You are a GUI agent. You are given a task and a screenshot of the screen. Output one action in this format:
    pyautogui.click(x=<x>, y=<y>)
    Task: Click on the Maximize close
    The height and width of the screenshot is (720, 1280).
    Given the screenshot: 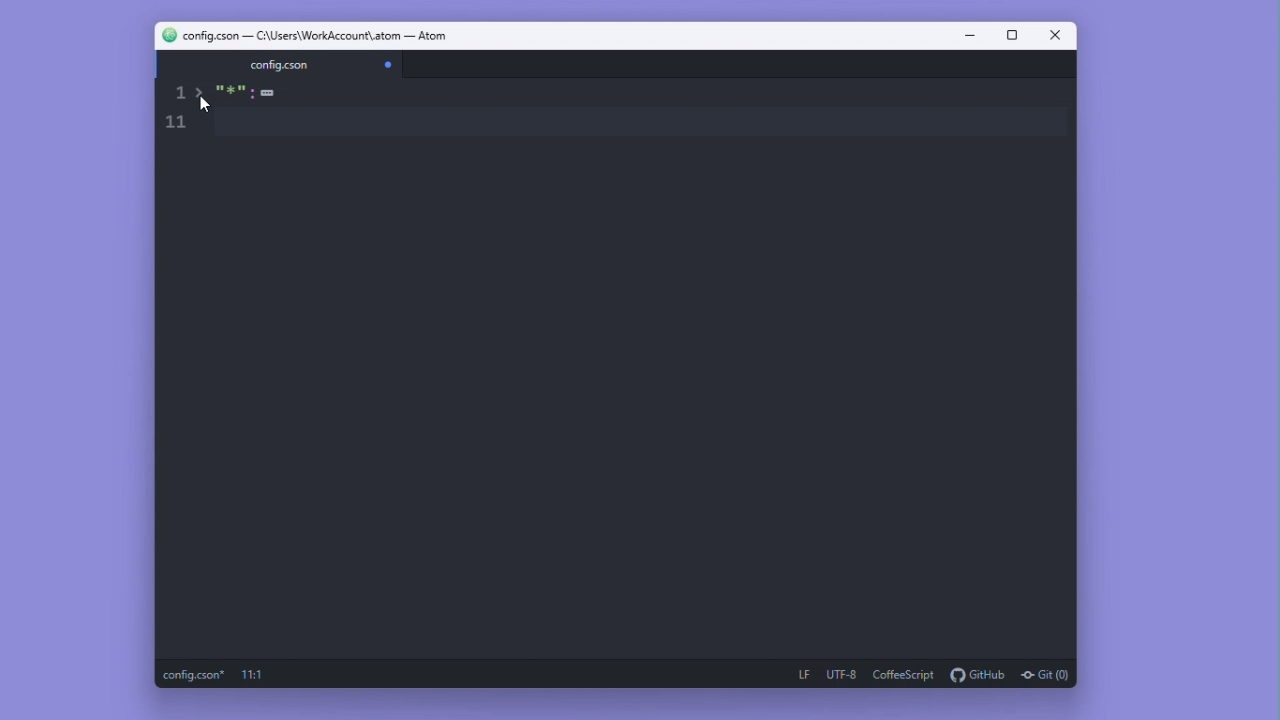 What is the action you would take?
    pyautogui.click(x=1054, y=36)
    